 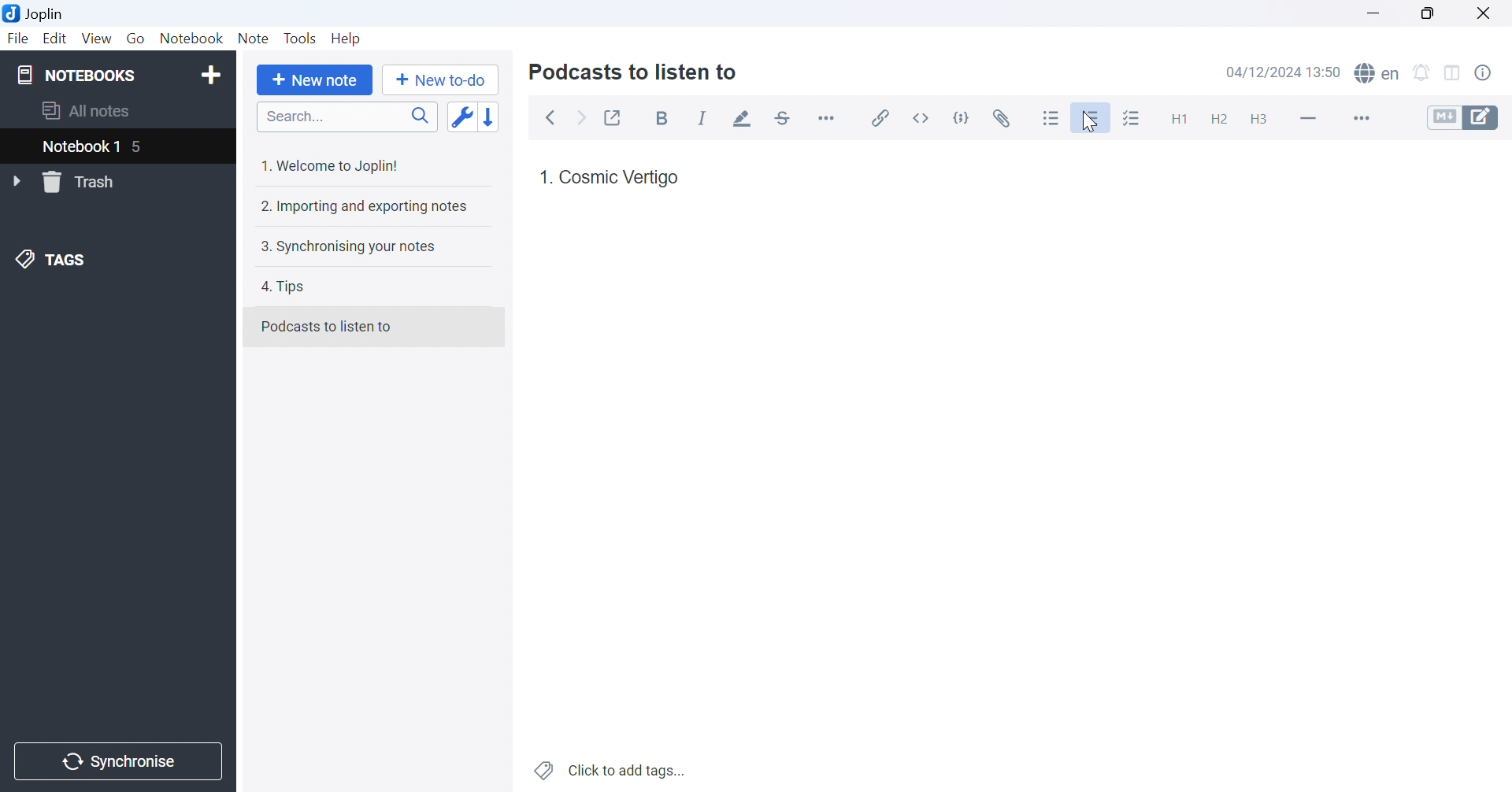 I want to click on TAGS, so click(x=53, y=262).